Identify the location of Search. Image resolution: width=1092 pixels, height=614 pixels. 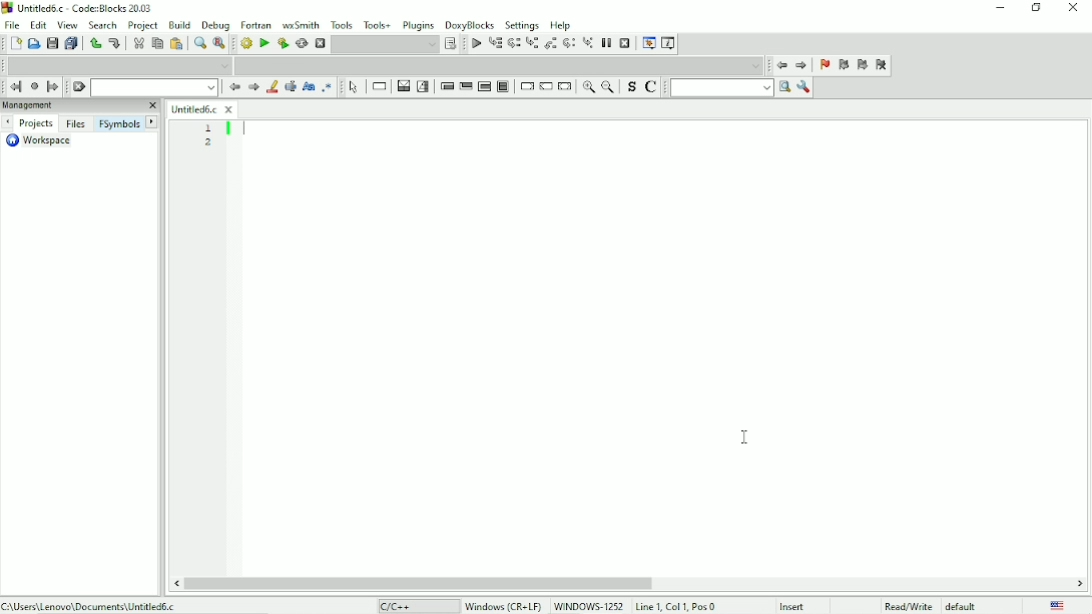
(103, 24).